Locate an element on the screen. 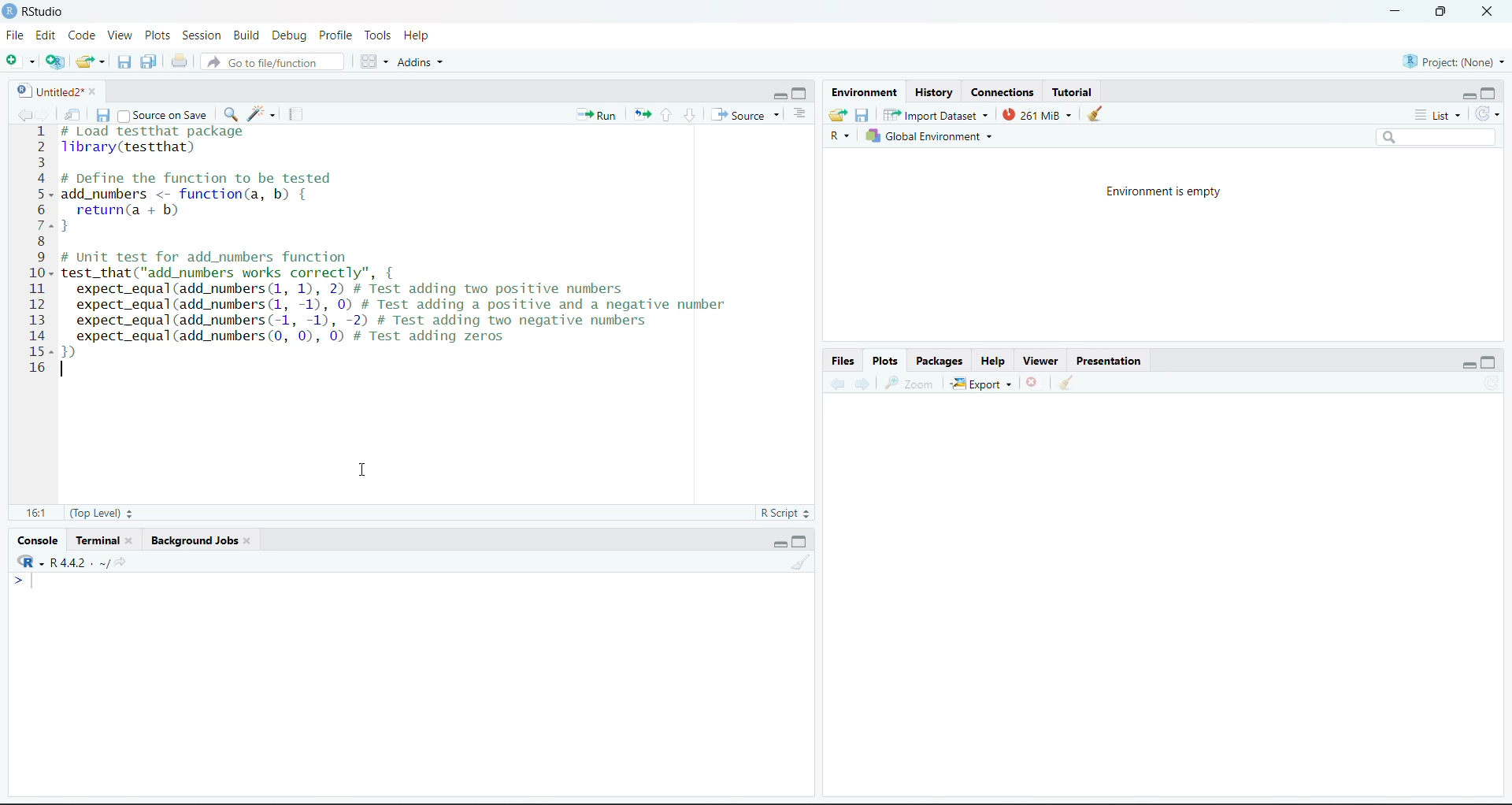  Plots is located at coordinates (884, 361).